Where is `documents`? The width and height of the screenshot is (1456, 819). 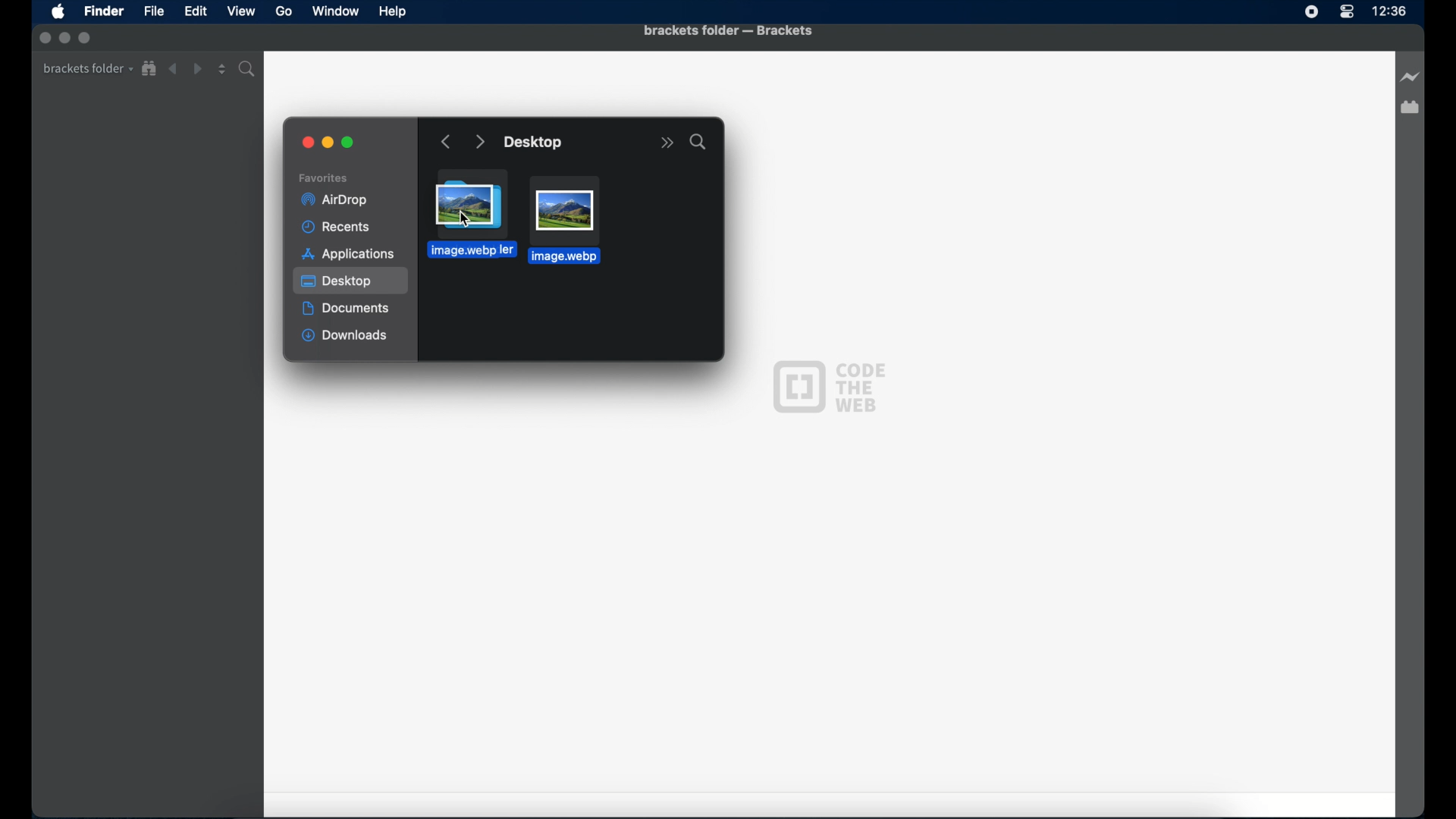
documents is located at coordinates (347, 309).